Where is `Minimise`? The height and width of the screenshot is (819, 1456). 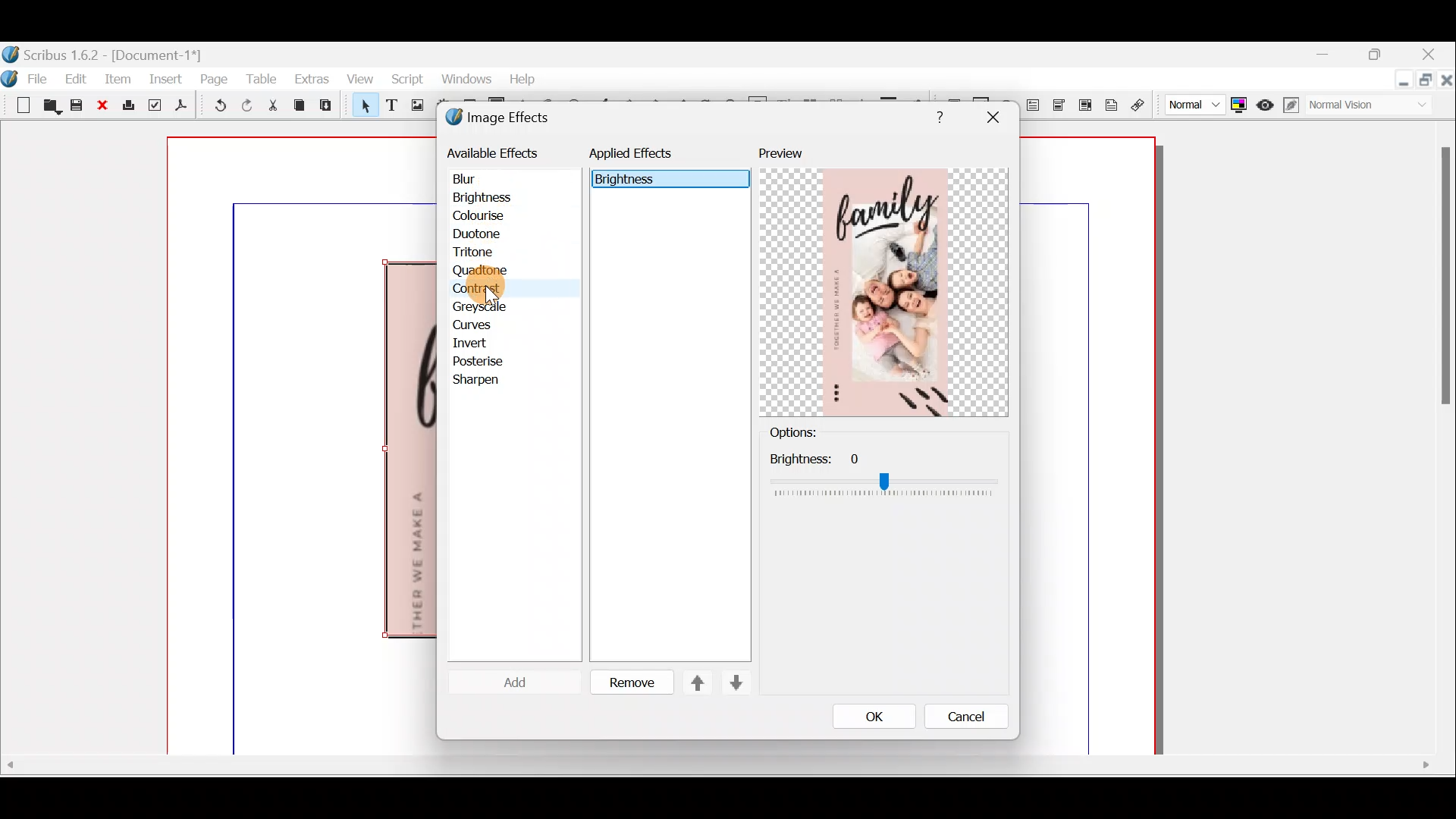
Minimise is located at coordinates (1330, 55).